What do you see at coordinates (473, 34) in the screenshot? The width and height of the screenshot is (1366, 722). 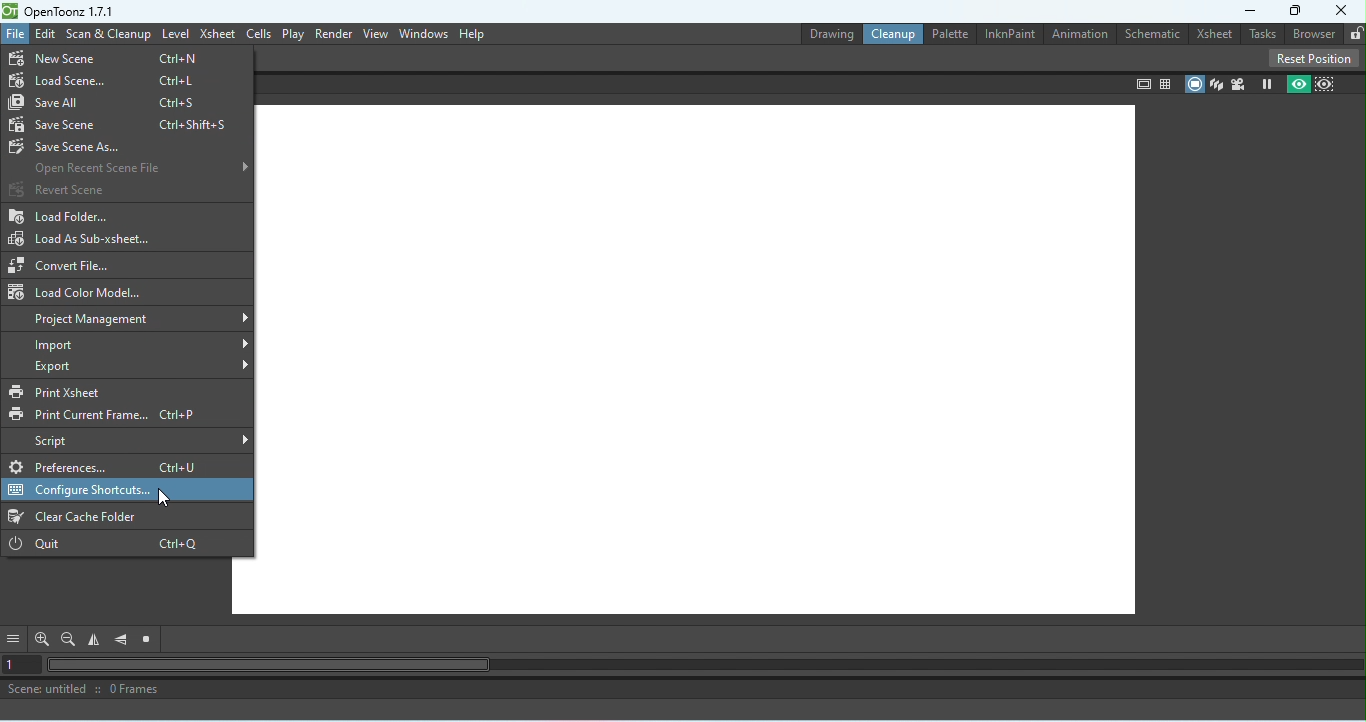 I see `Help` at bounding box center [473, 34].